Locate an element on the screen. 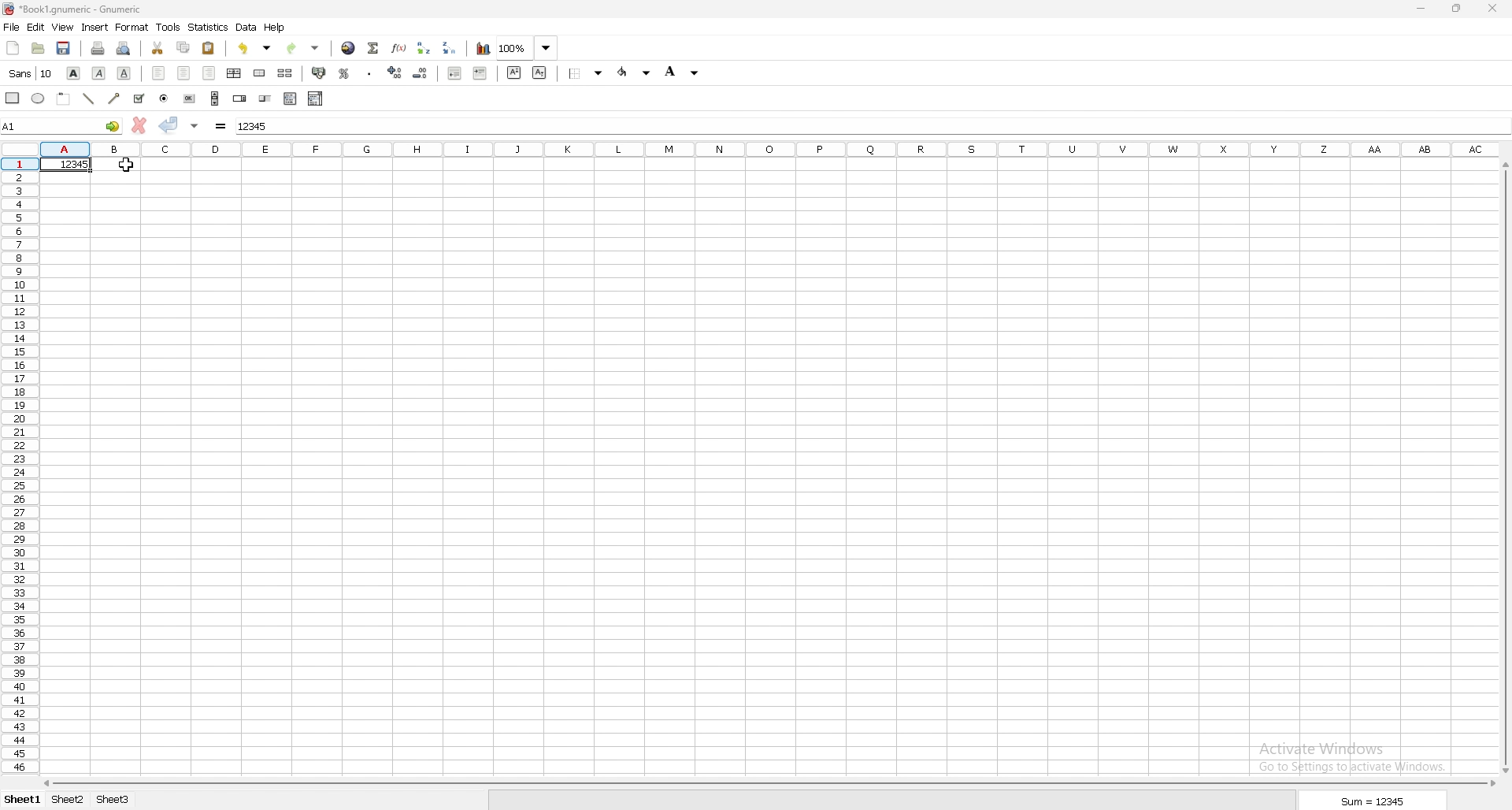 This screenshot has height=810, width=1512. open is located at coordinates (37, 49).